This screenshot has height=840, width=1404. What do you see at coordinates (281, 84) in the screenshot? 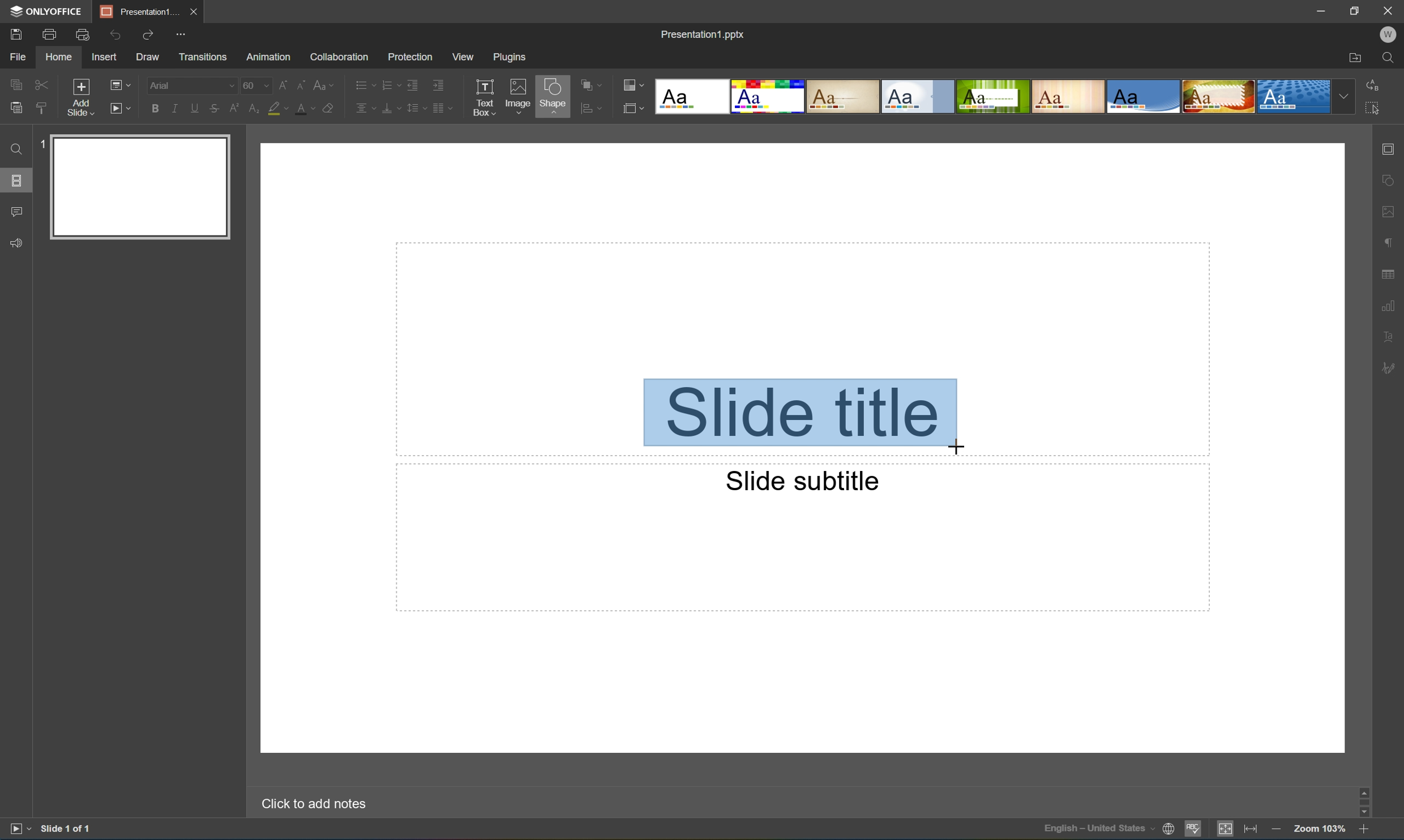
I see `Increment font size` at bounding box center [281, 84].